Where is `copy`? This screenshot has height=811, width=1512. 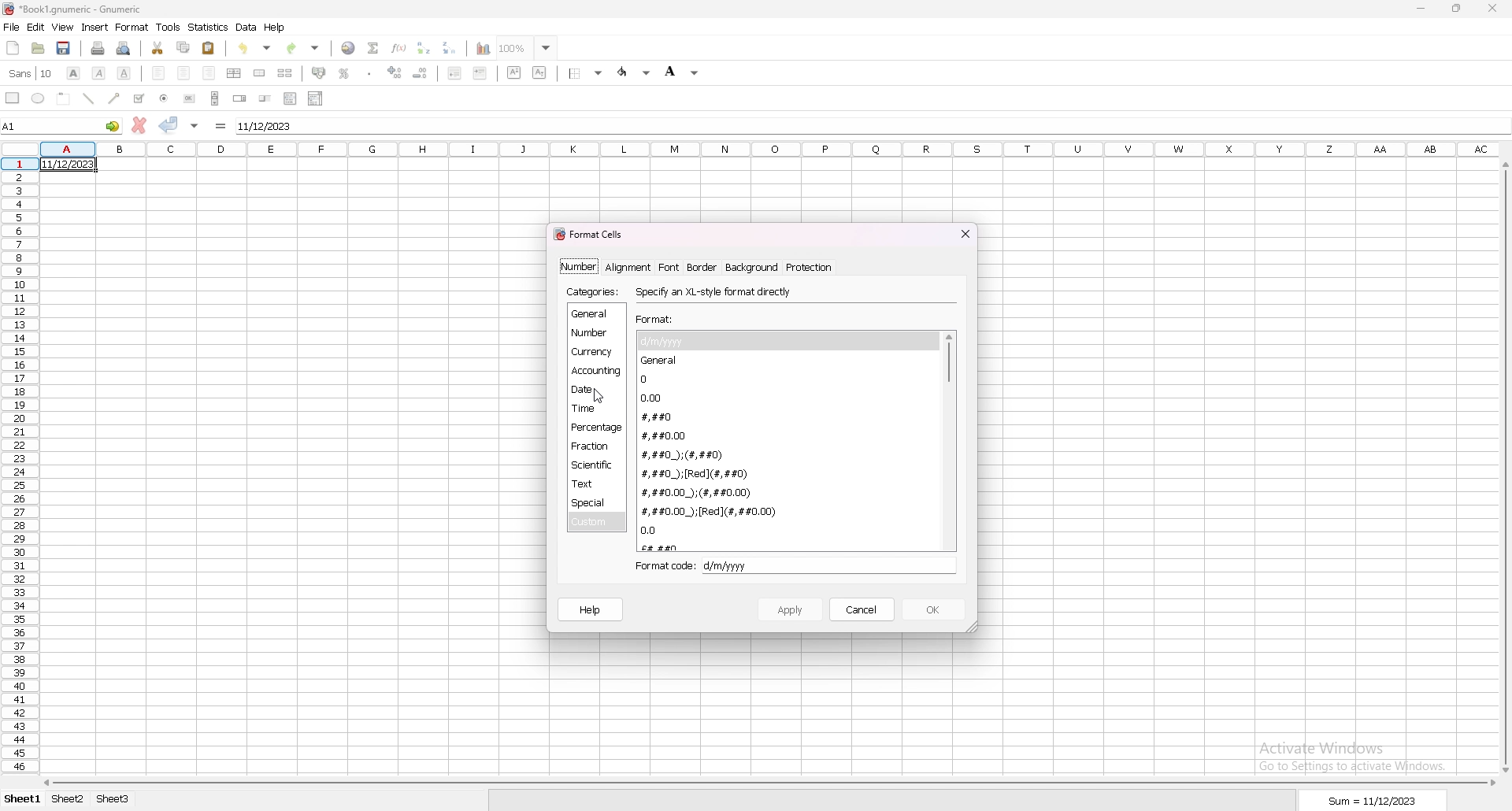
copy is located at coordinates (185, 46).